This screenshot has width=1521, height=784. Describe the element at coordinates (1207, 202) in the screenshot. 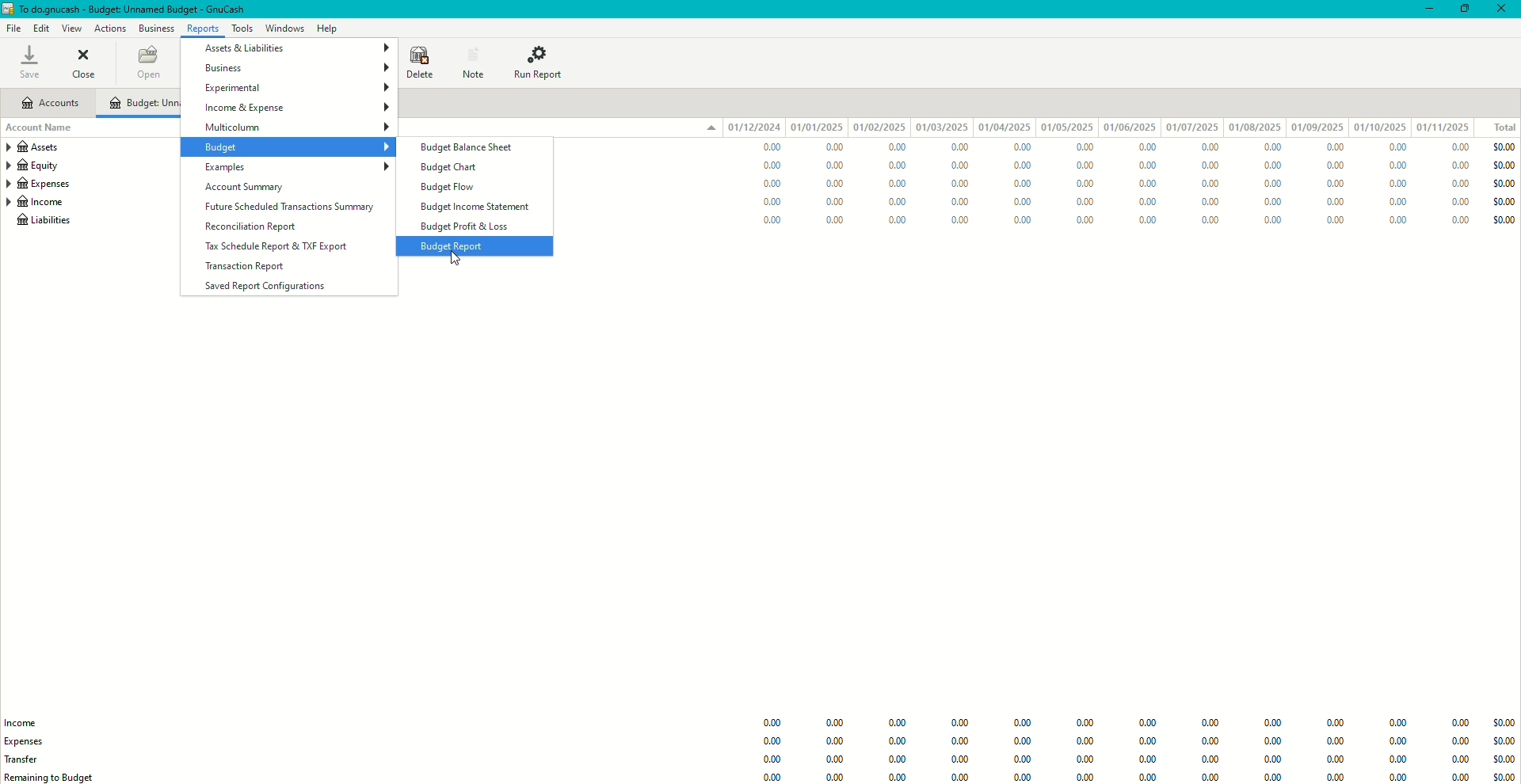

I see `0.00` at that location.